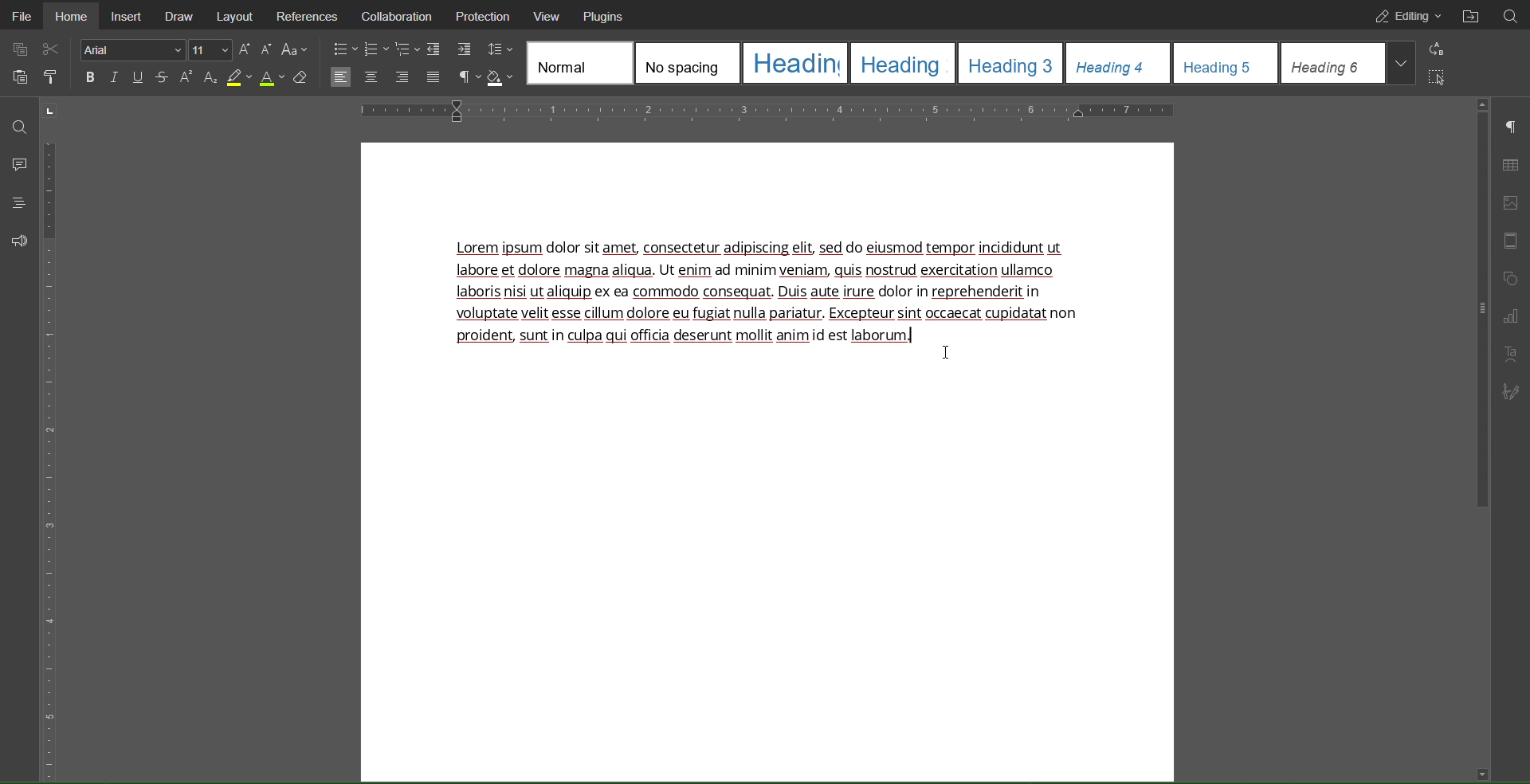 This screenshot has height=784, width=1530. I want to click on Insert, so click(127, 16).